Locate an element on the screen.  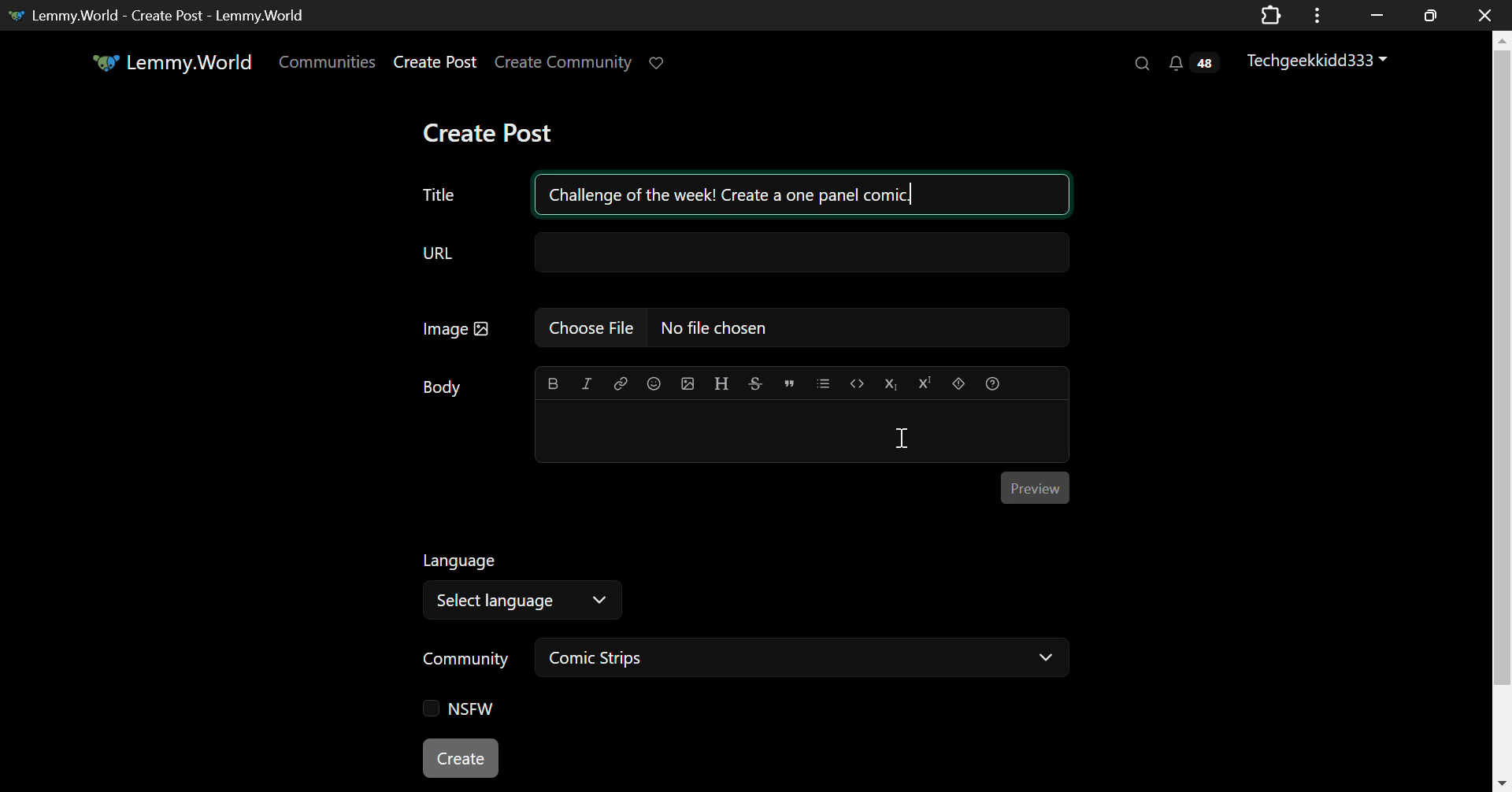
header is located at coordinates (720, 384).